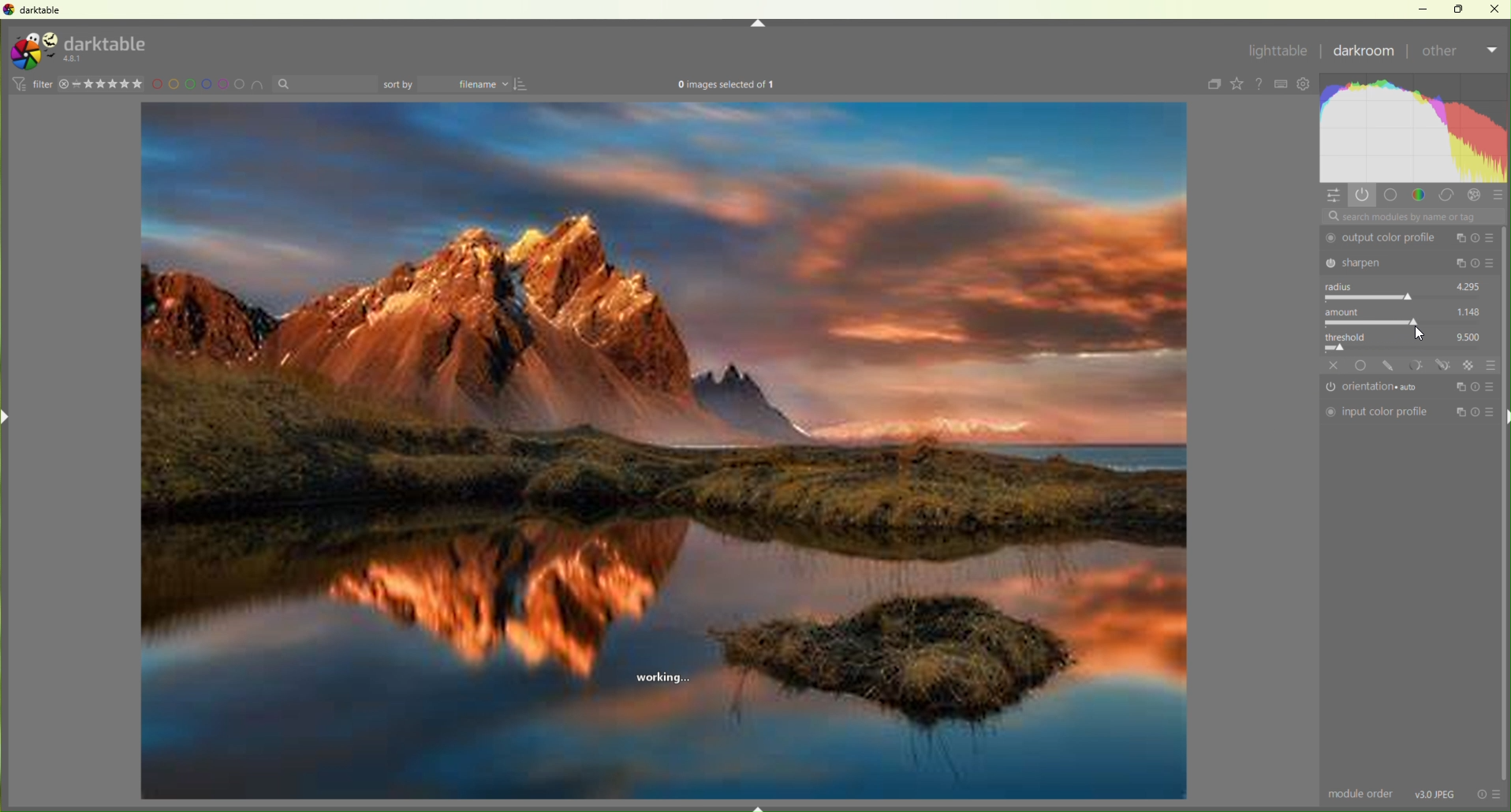 The image size is (1511, 812). Describe the element at coordinates (1416, 128) in the screenshot. I see `Color map` at that location.